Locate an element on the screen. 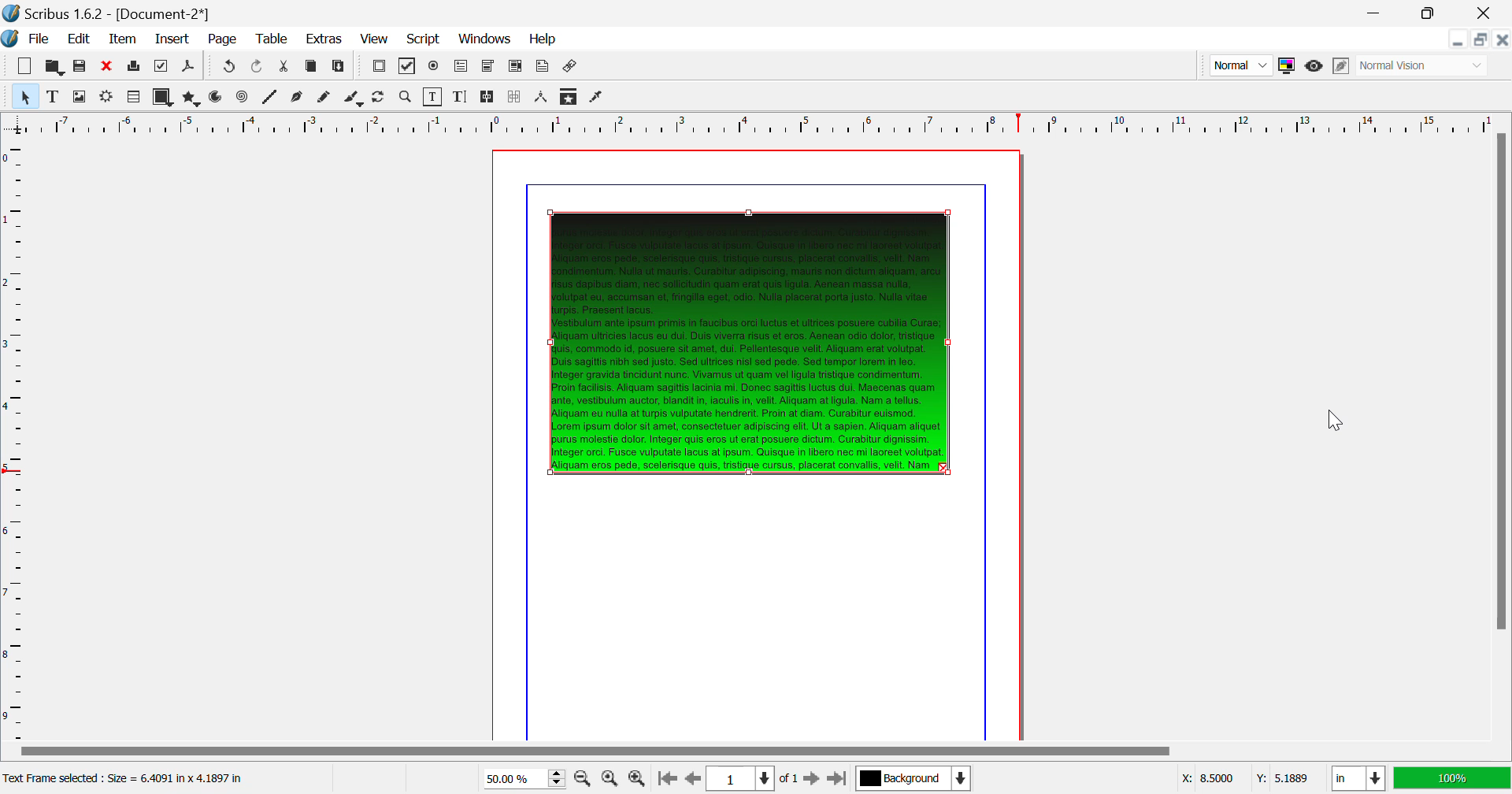  Redo is located at coordinates (227, 68).